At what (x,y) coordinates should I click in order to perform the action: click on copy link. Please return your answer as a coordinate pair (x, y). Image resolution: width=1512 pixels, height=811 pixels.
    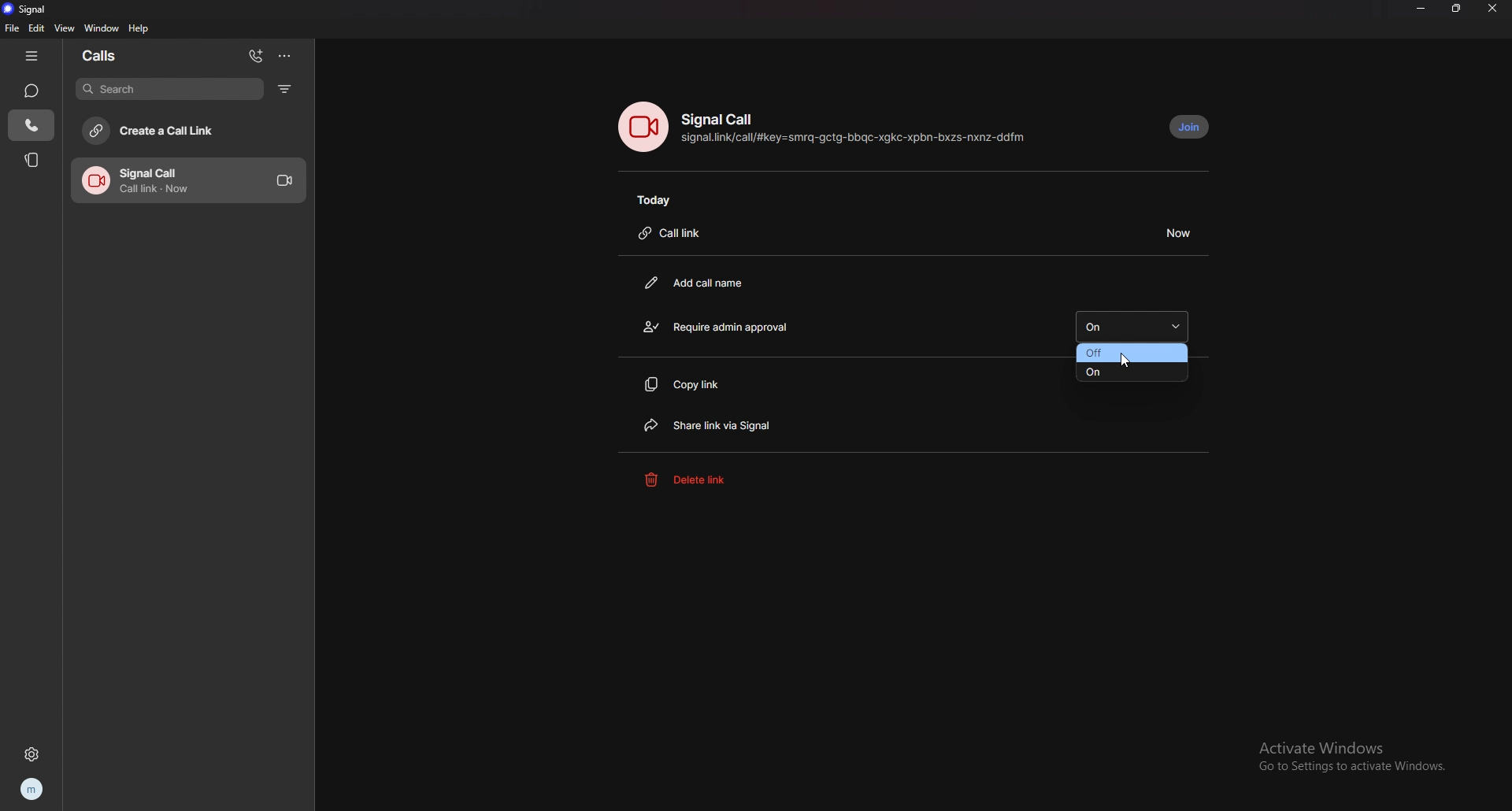
    Looking at the image, I should click on (691, 386).